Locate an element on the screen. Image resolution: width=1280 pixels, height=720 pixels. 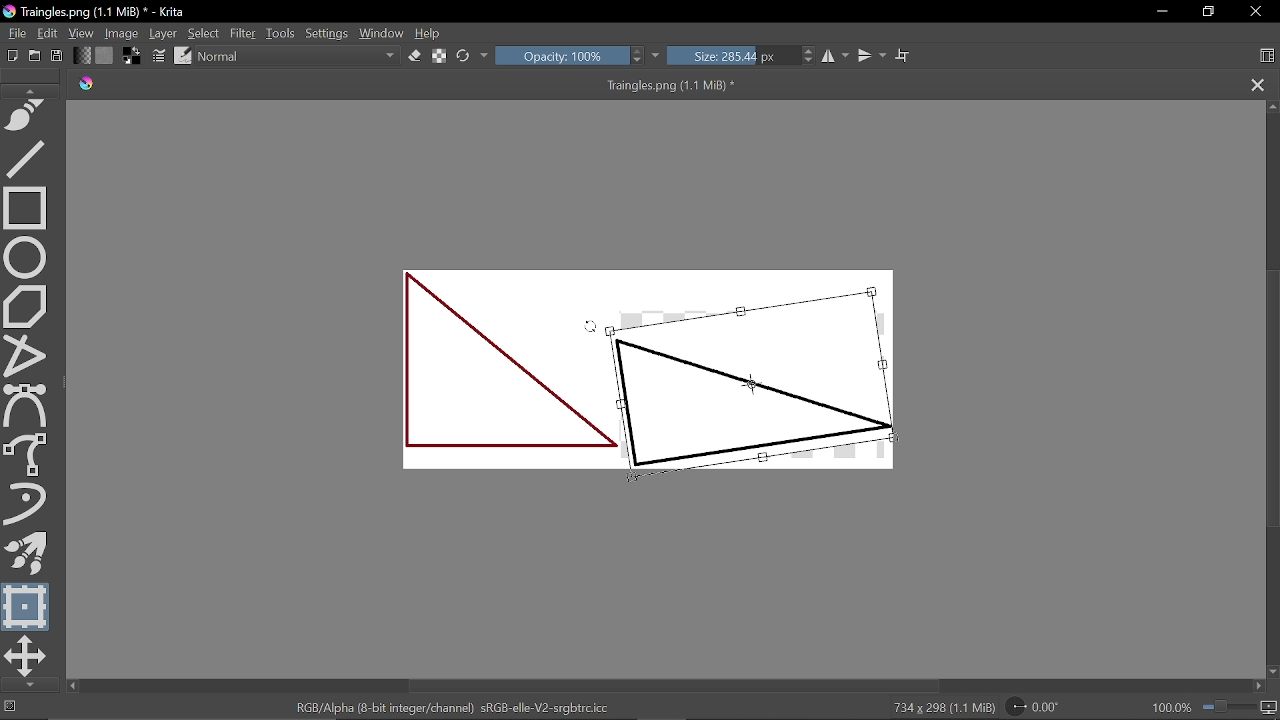
reload original preset is located at coordinates (464, 57).